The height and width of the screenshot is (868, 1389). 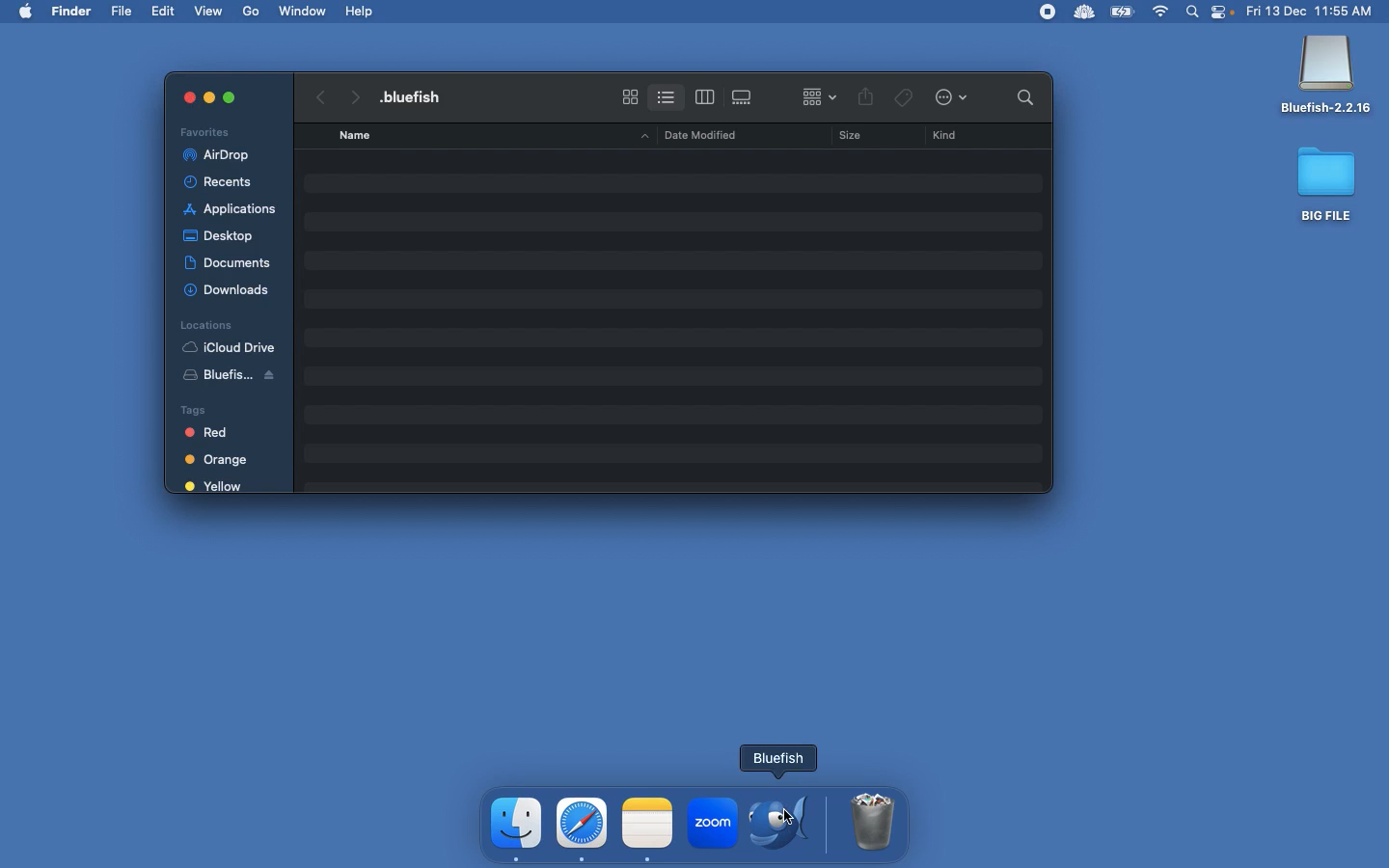 What do you see at coordinates (813, 819) in the screenshot?
I see `cursor` at bounding box center [813, 819].